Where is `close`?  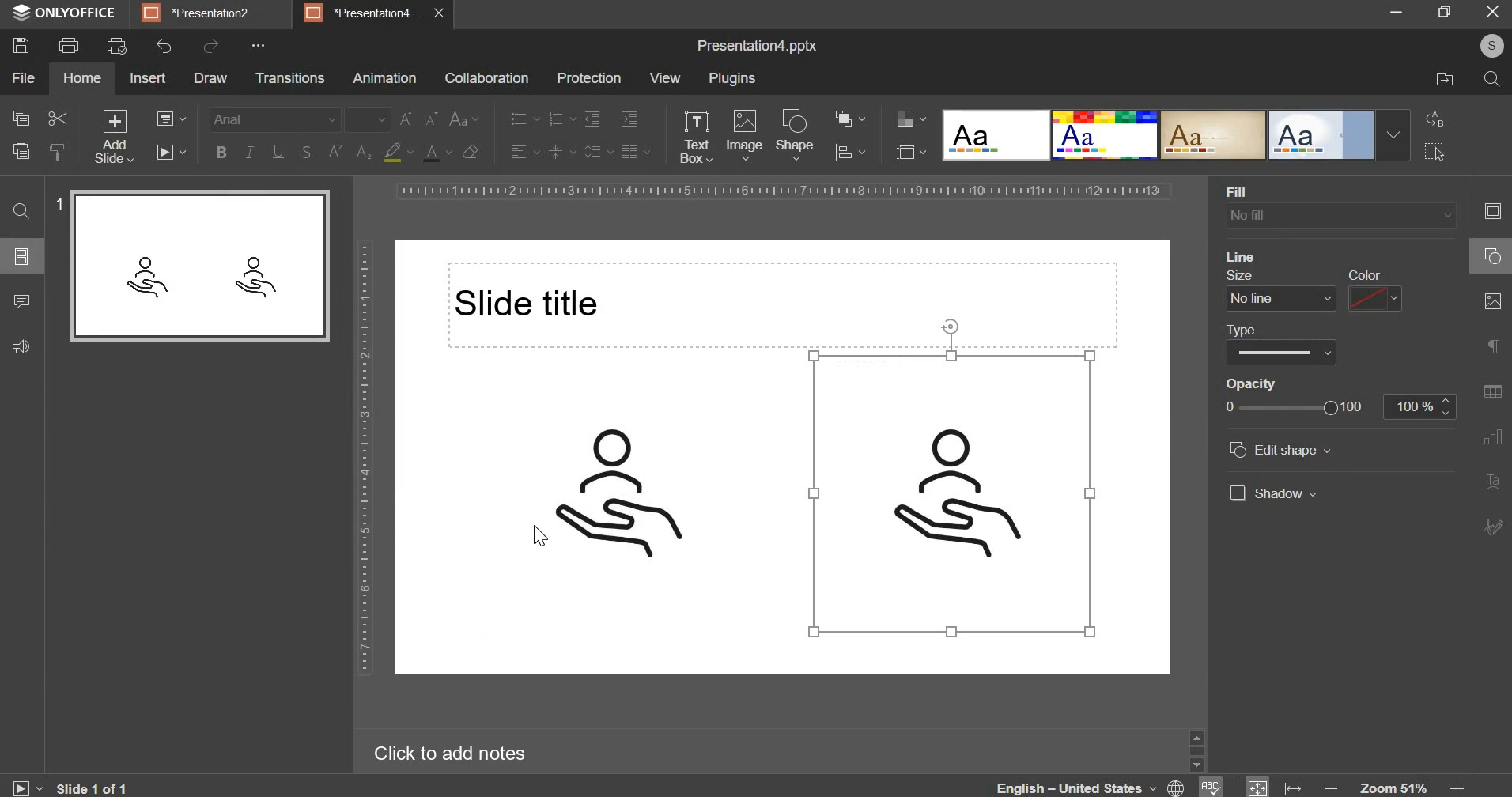 close is located at coordinates (1492, 11).